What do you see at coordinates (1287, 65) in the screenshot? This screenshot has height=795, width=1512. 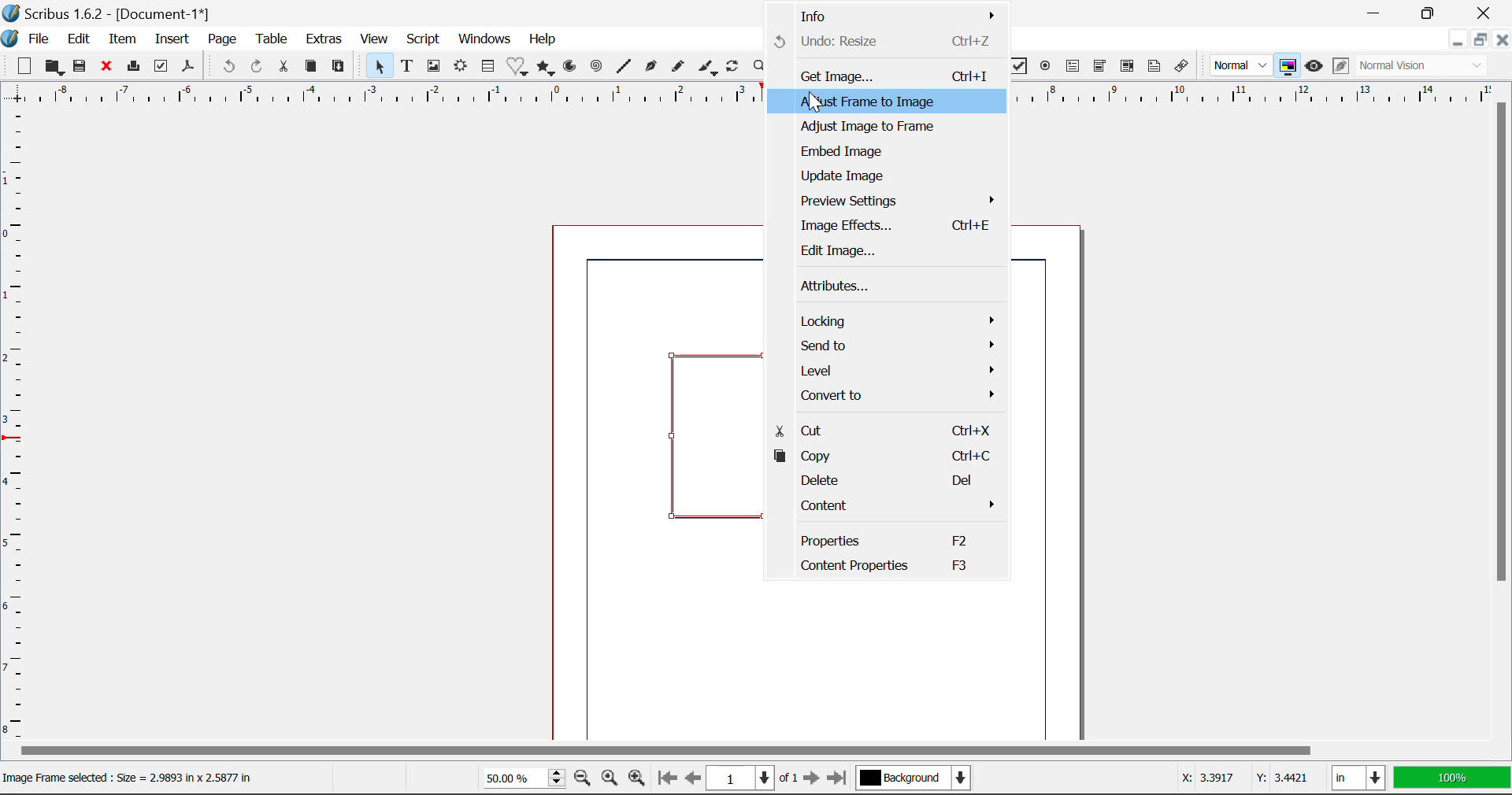 I see `Toggle Color Management` at bounding box center [1287, 65].